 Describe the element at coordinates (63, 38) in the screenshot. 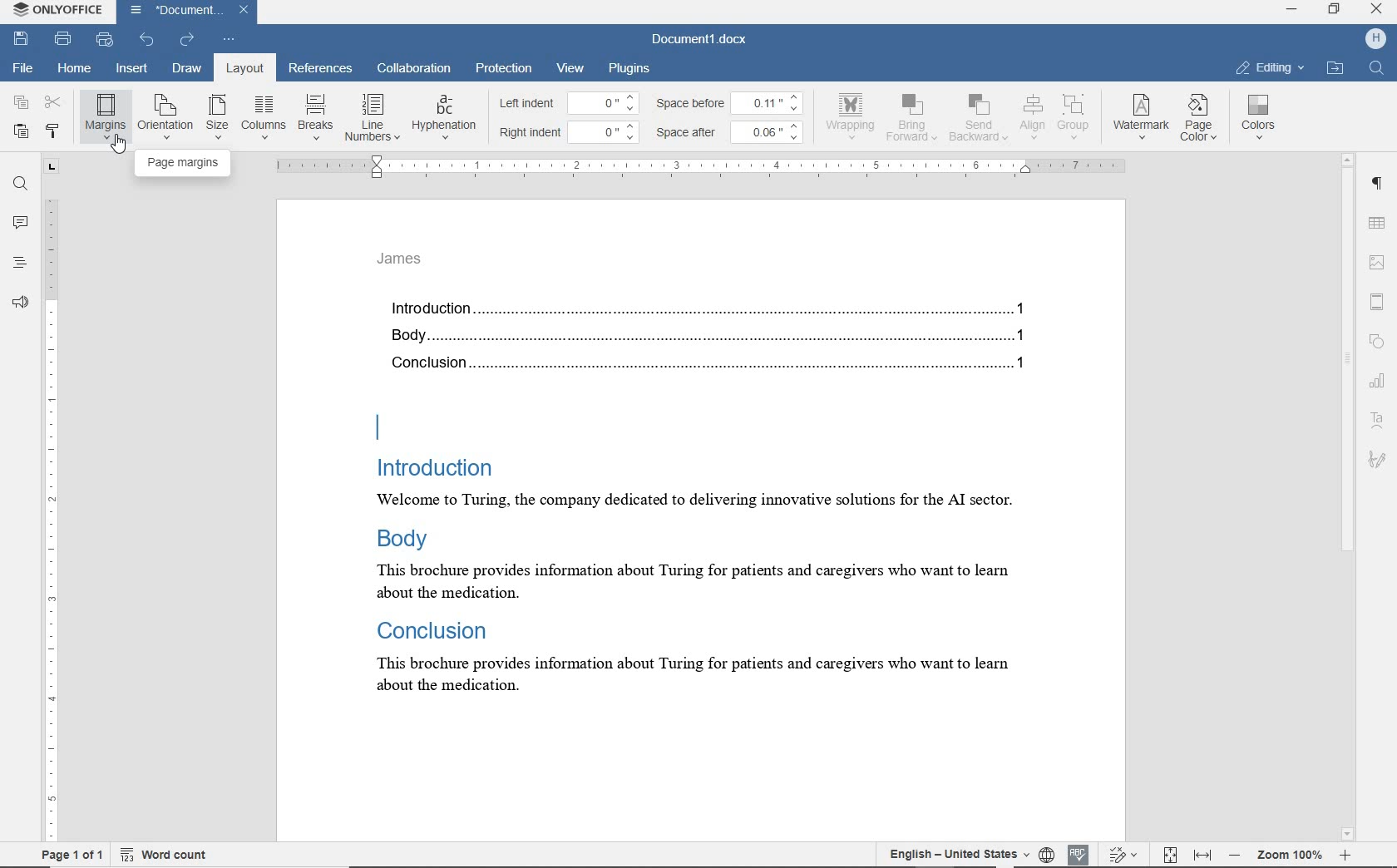

I see `print` at that location.